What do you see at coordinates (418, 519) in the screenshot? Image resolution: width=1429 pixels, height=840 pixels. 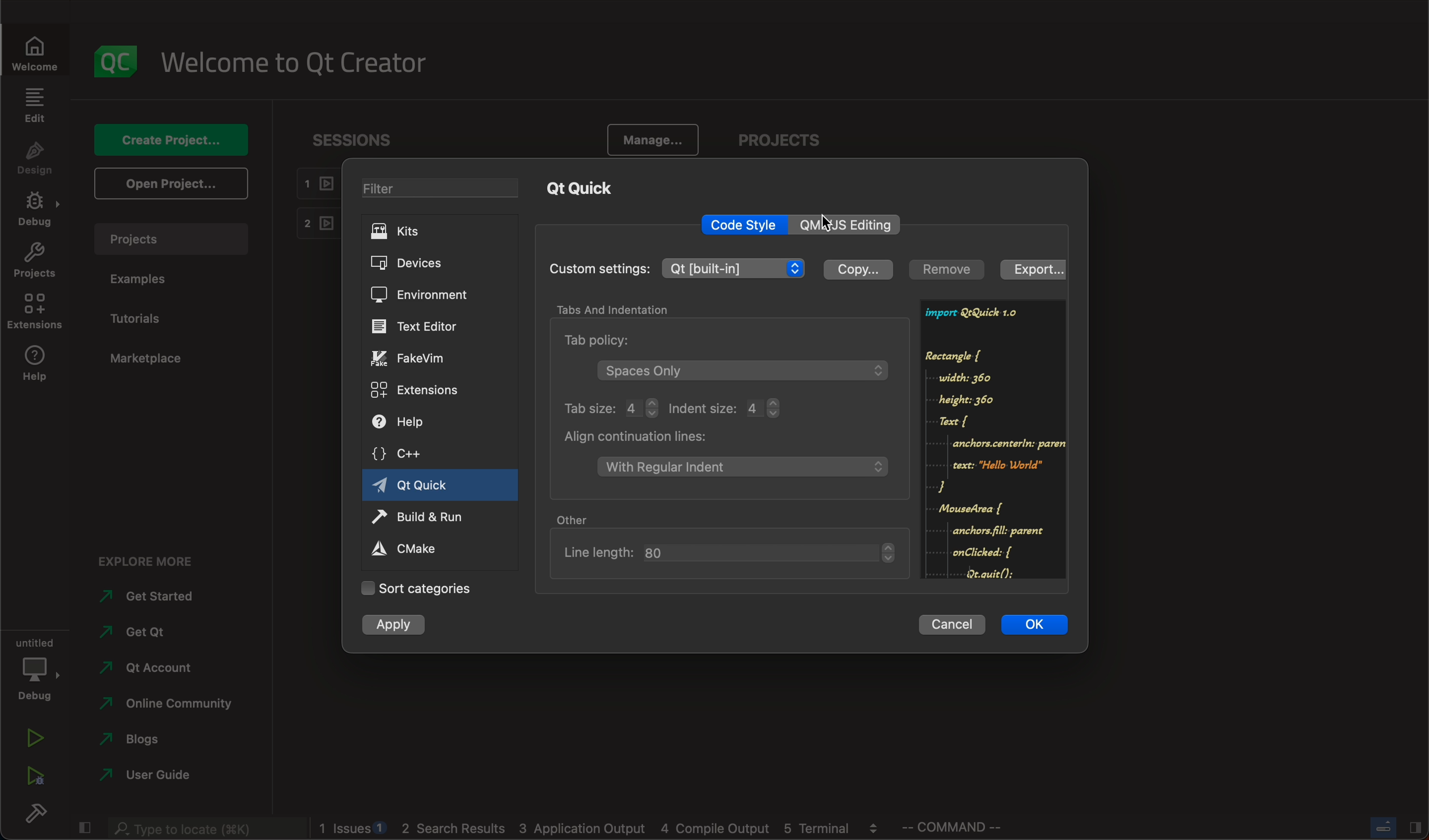 I see `run` at bounding box center [418, 519].